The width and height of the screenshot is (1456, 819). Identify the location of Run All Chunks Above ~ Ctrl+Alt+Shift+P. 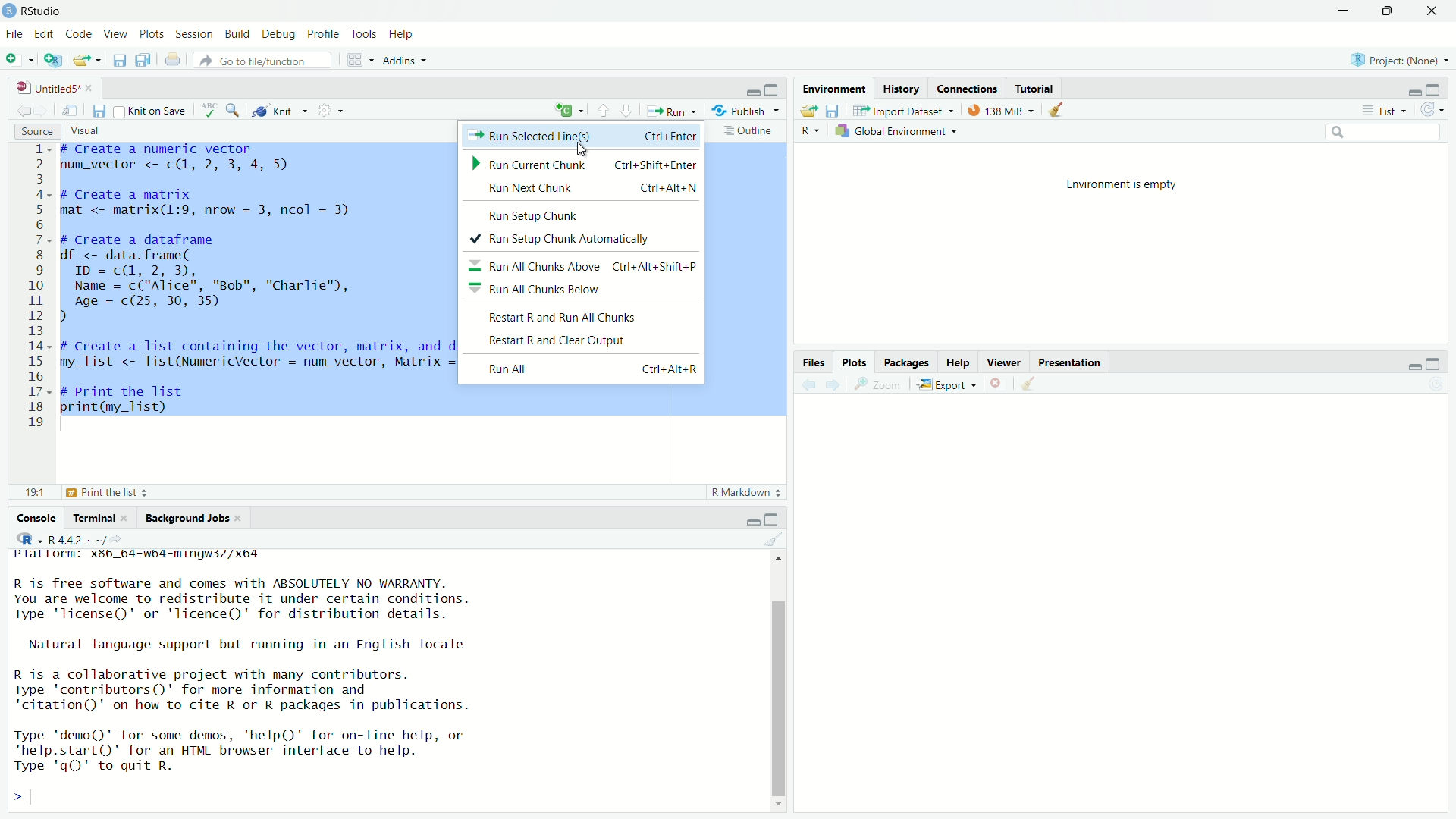
(584, 266).